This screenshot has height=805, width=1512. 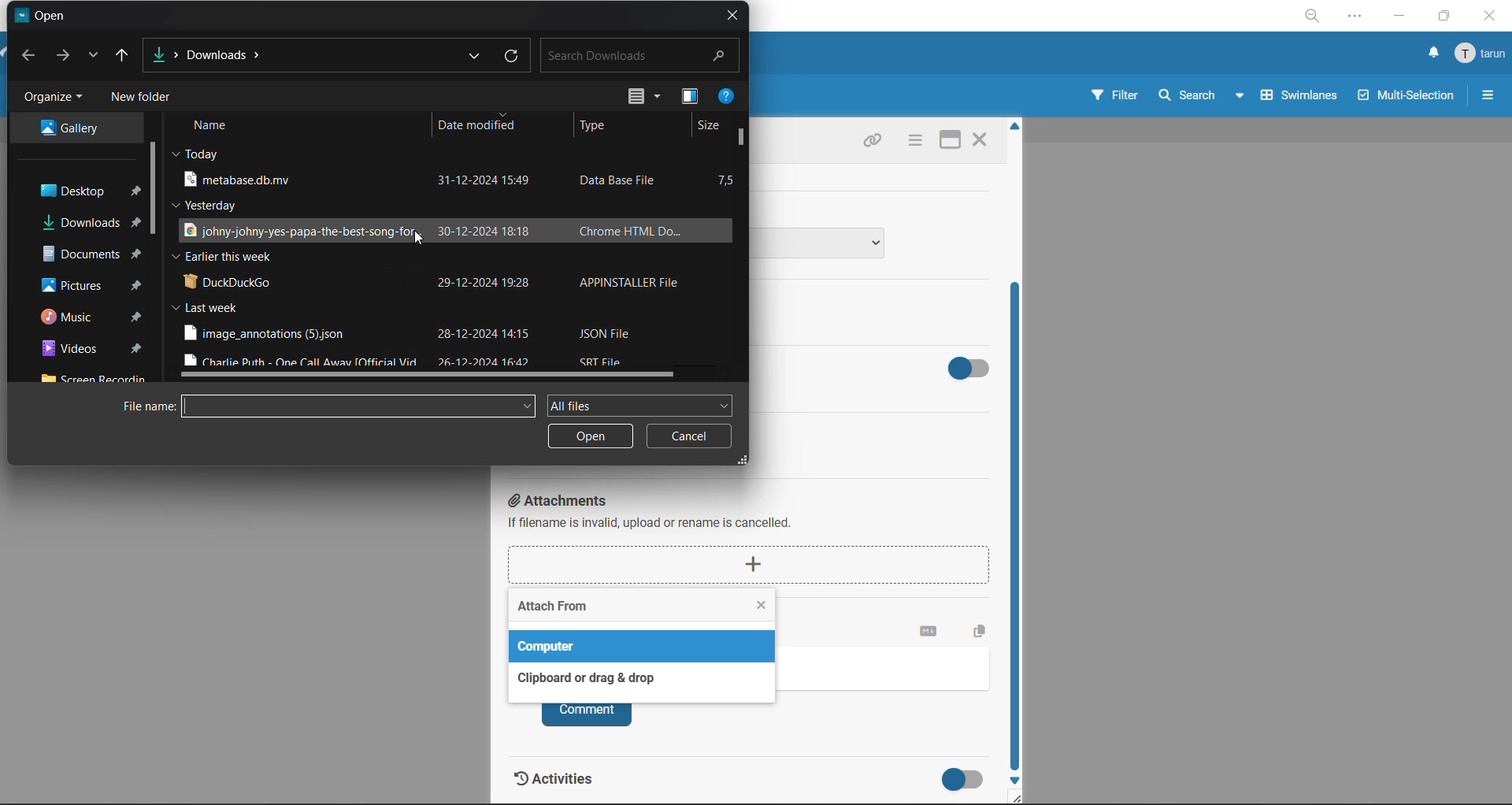 I want to click on open, so click(x=591, y=437).